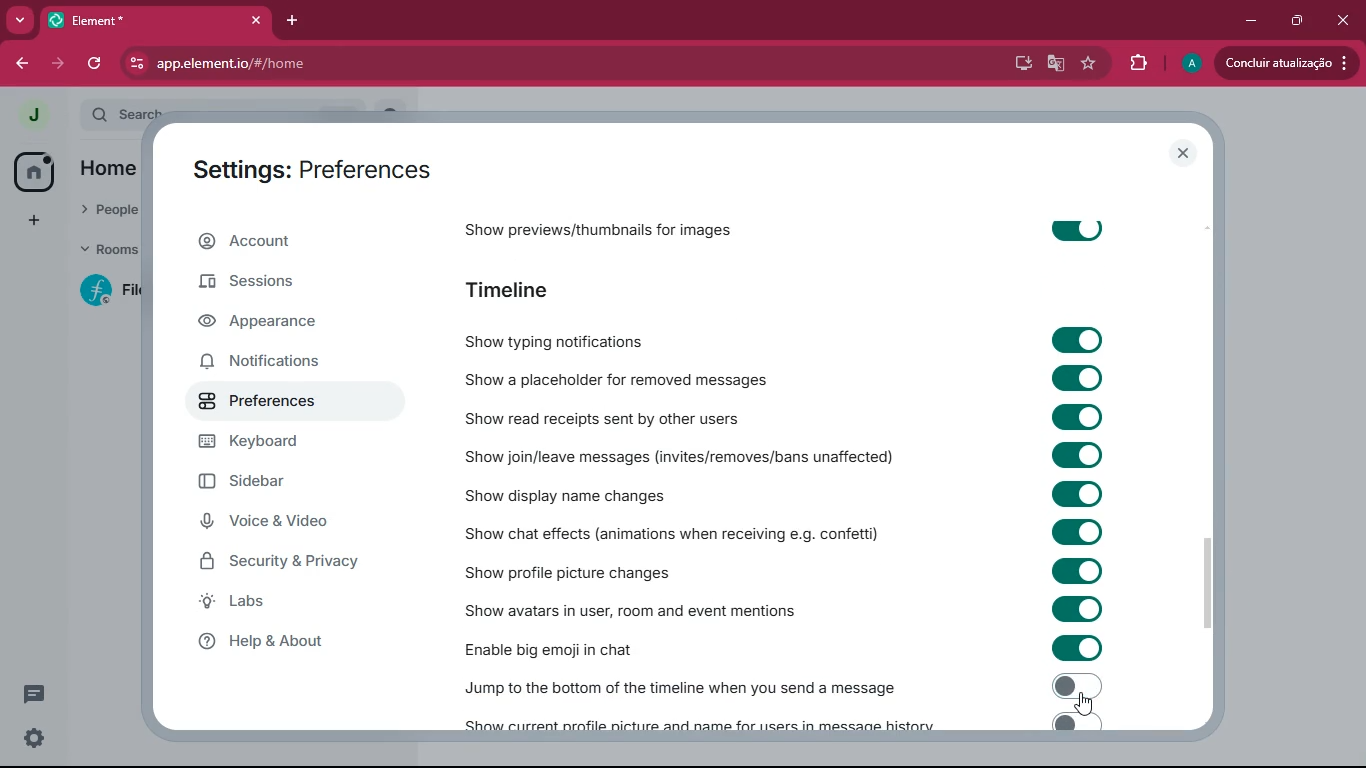  Describe the element at coordinates (1298, 21) in the screenshot. I see `maximize` at that location.